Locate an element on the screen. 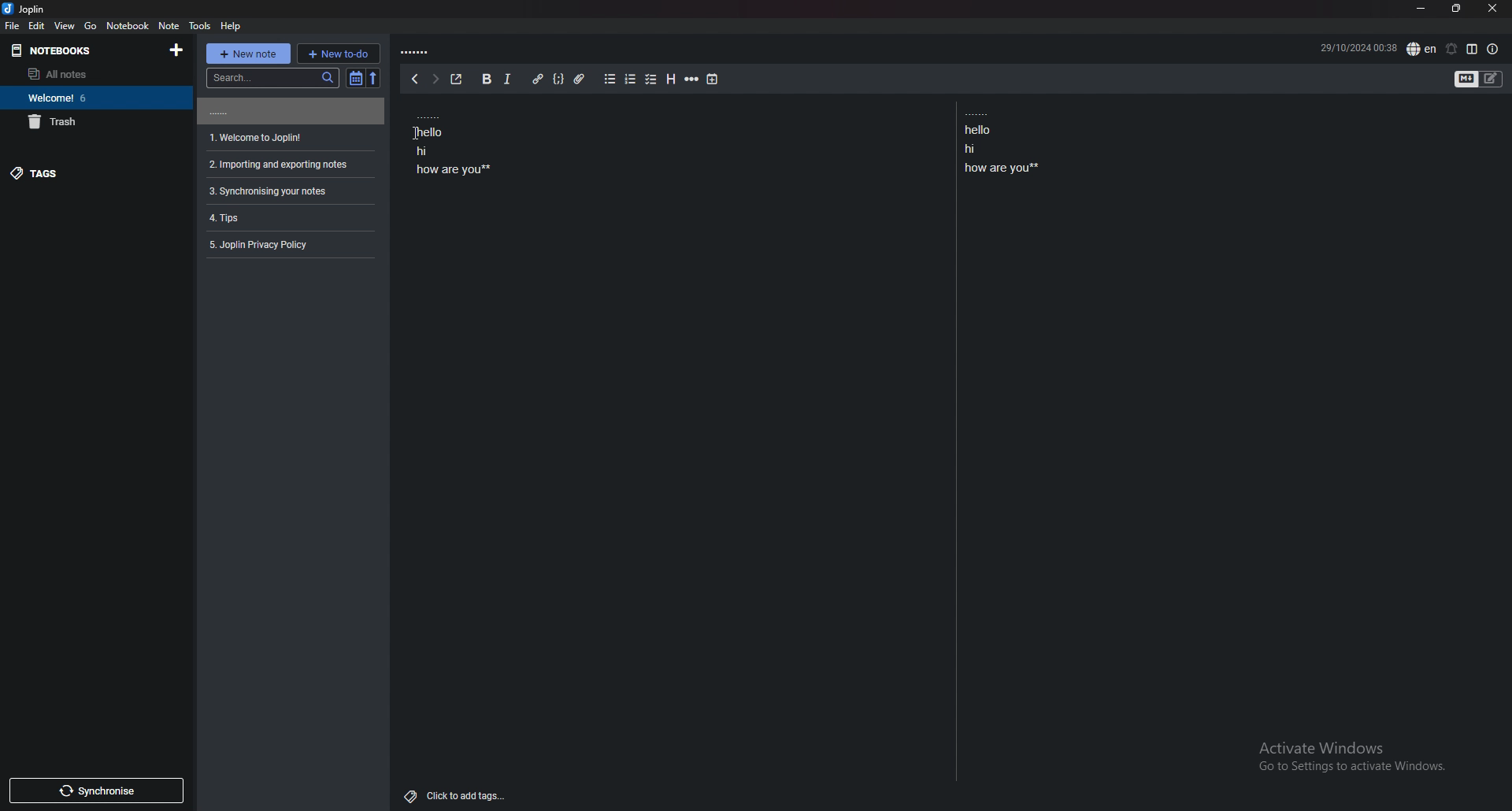  add attachment is located at coordinates (579, 80).